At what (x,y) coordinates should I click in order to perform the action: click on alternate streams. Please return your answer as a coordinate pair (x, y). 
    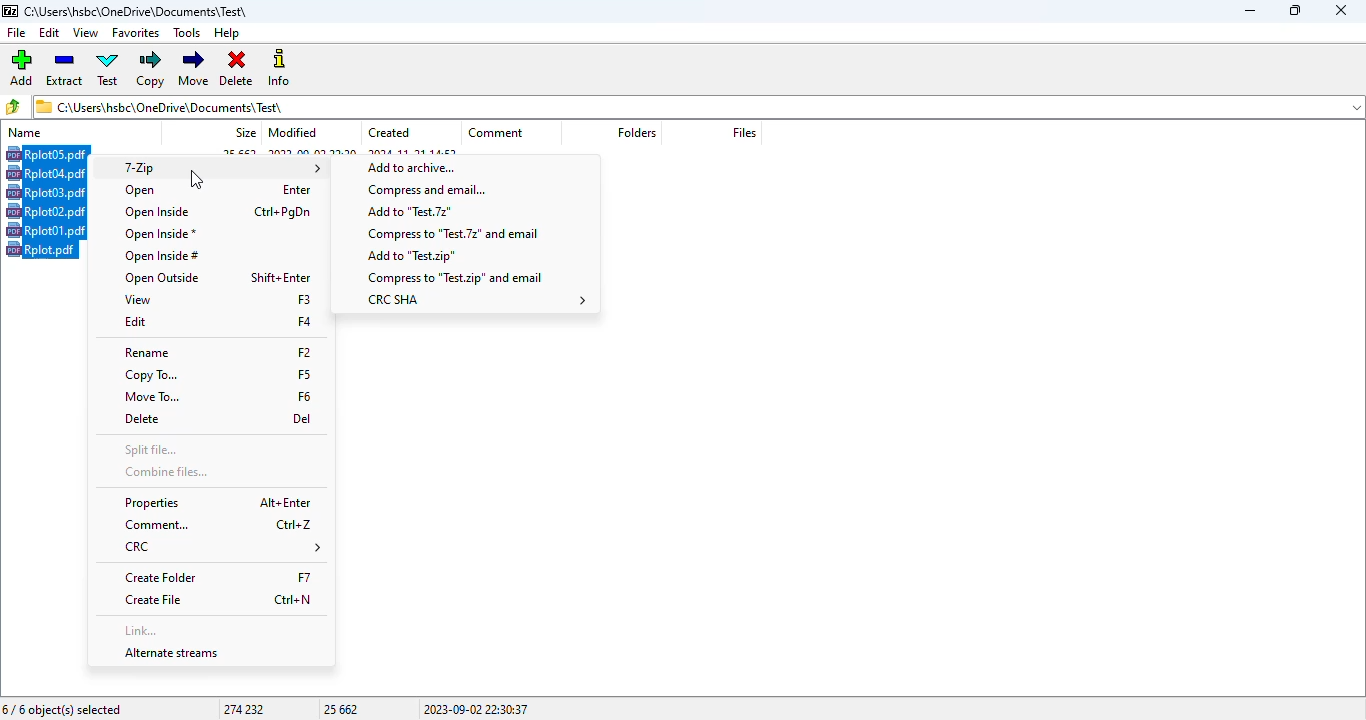
    Looking at the image, I should click on (171, 652).